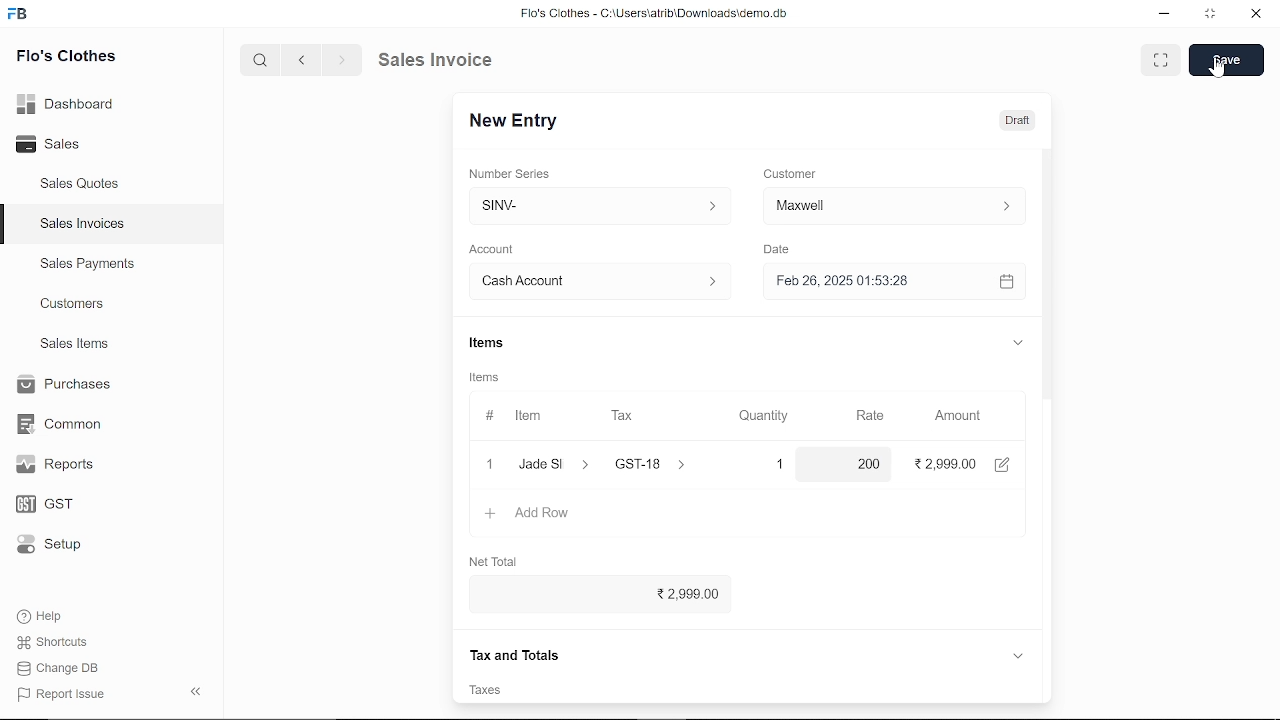 The height and width of the screenshot is (720, 1280). I want to click on GST, so click(62, 505).